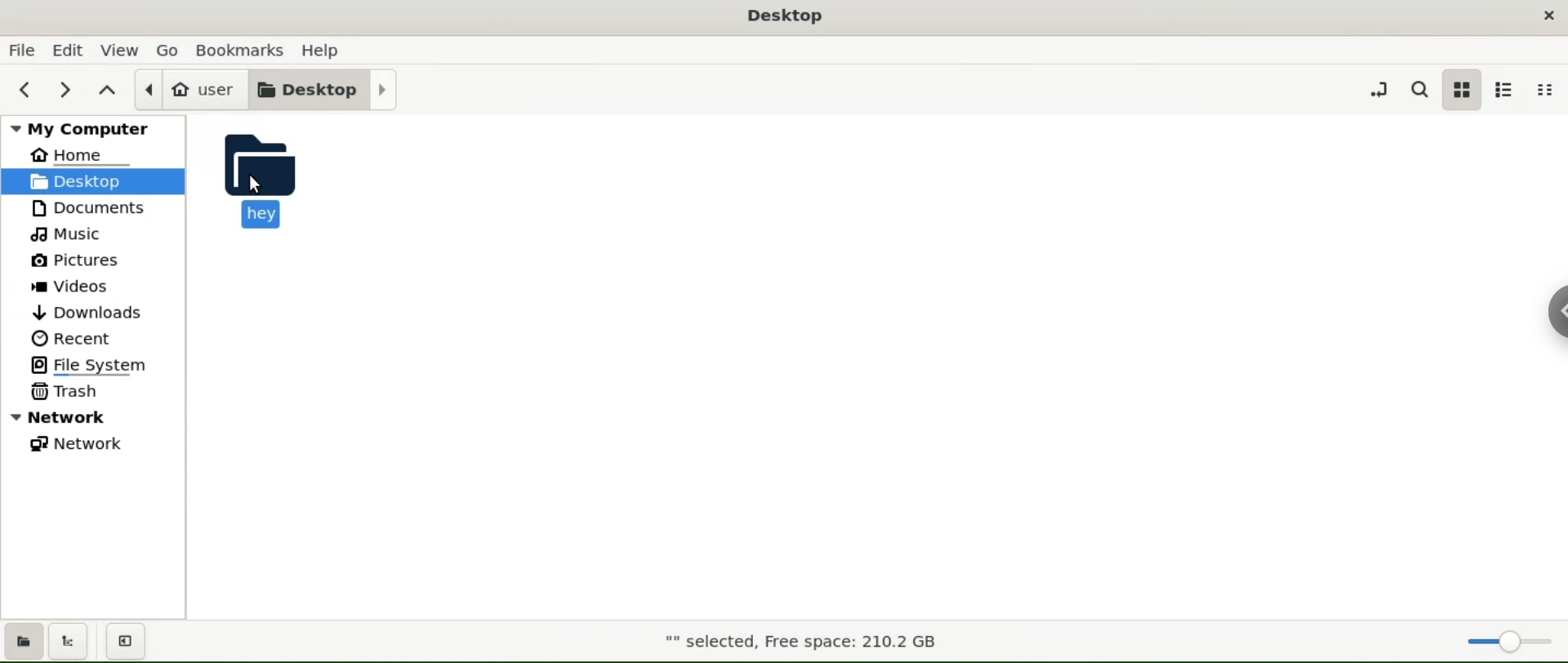 Image resolution: width=1568 pixels, height=663 pixels. I want to click on cursor, so click(258, 185).